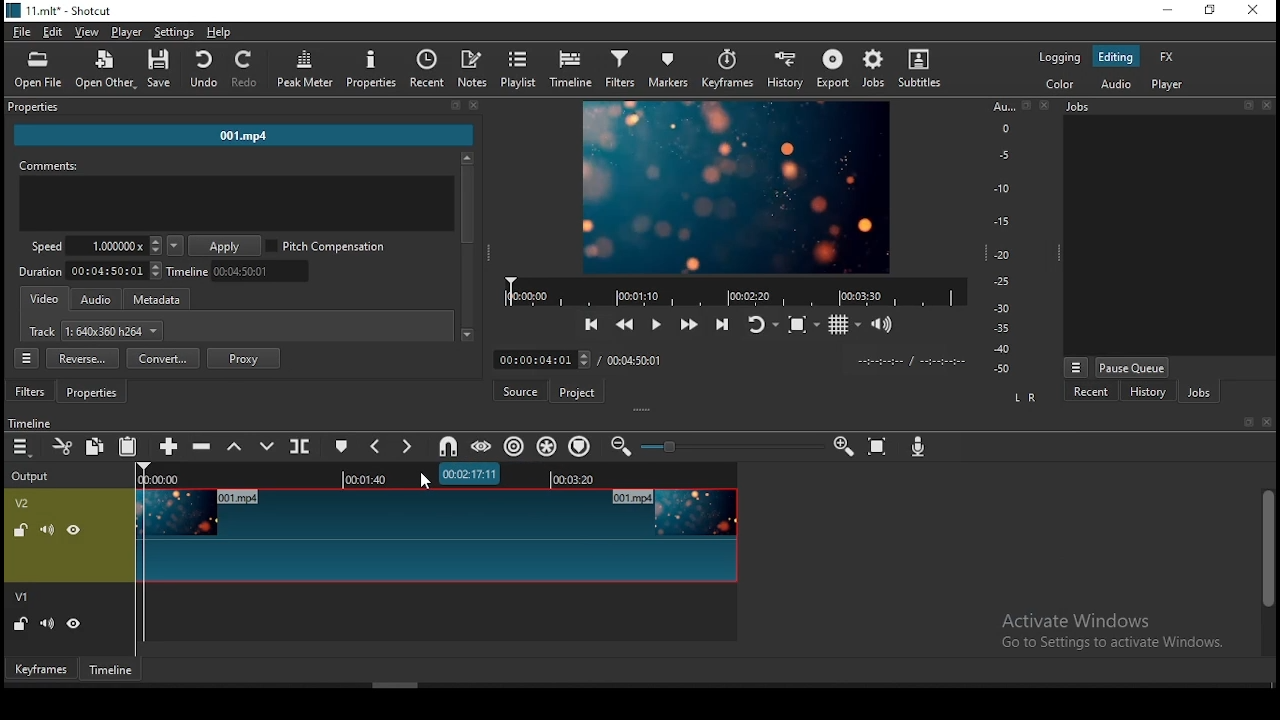 This screenshot has width=1280, height=720. Describe the element at coordinates (174, 31) in the screenshot. I see `settings` at that location.